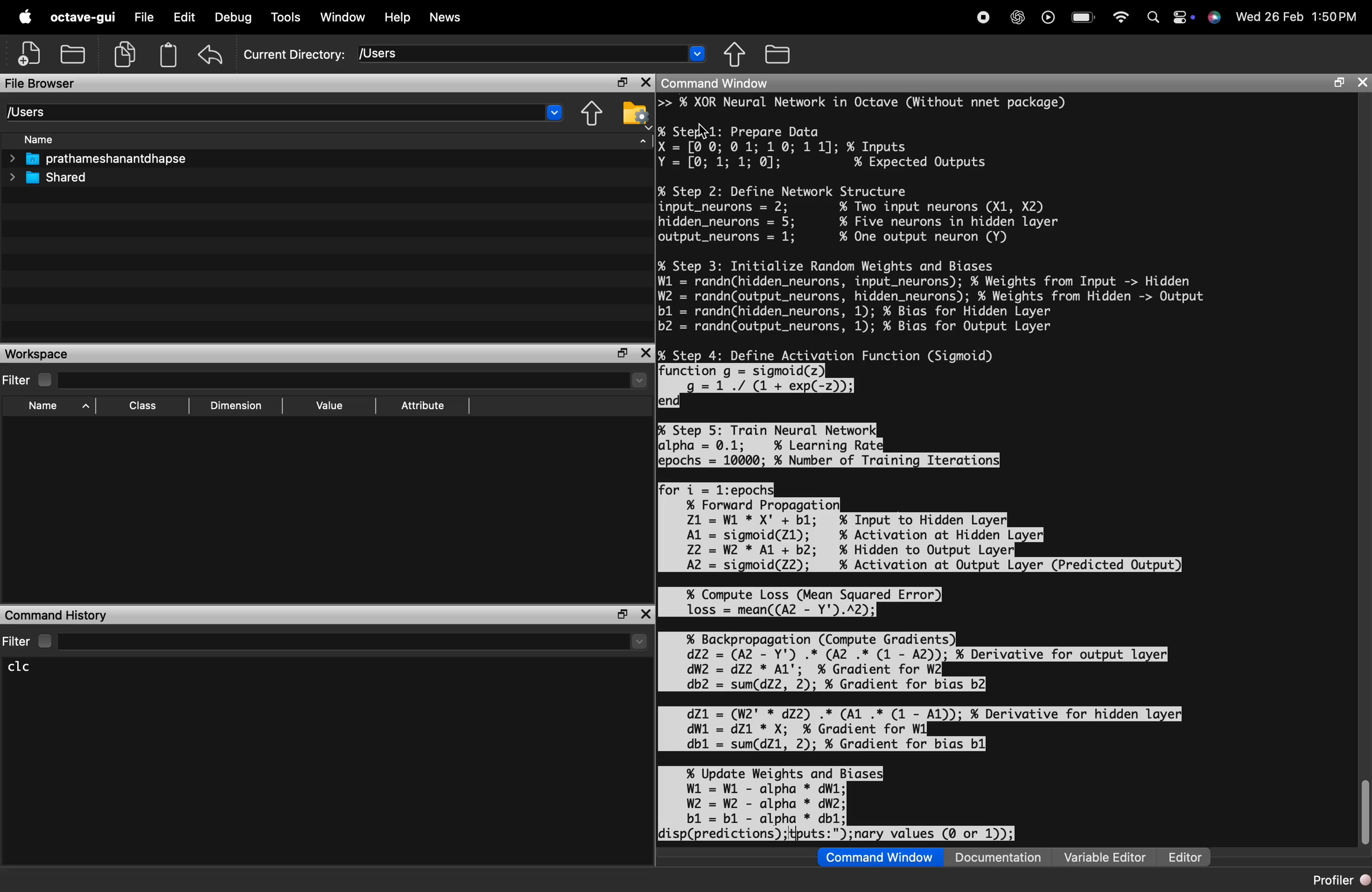  What do you see at coordinates (1185, 857) in the screenshot?
I see `Editor` at bounding box center [1185, 857].